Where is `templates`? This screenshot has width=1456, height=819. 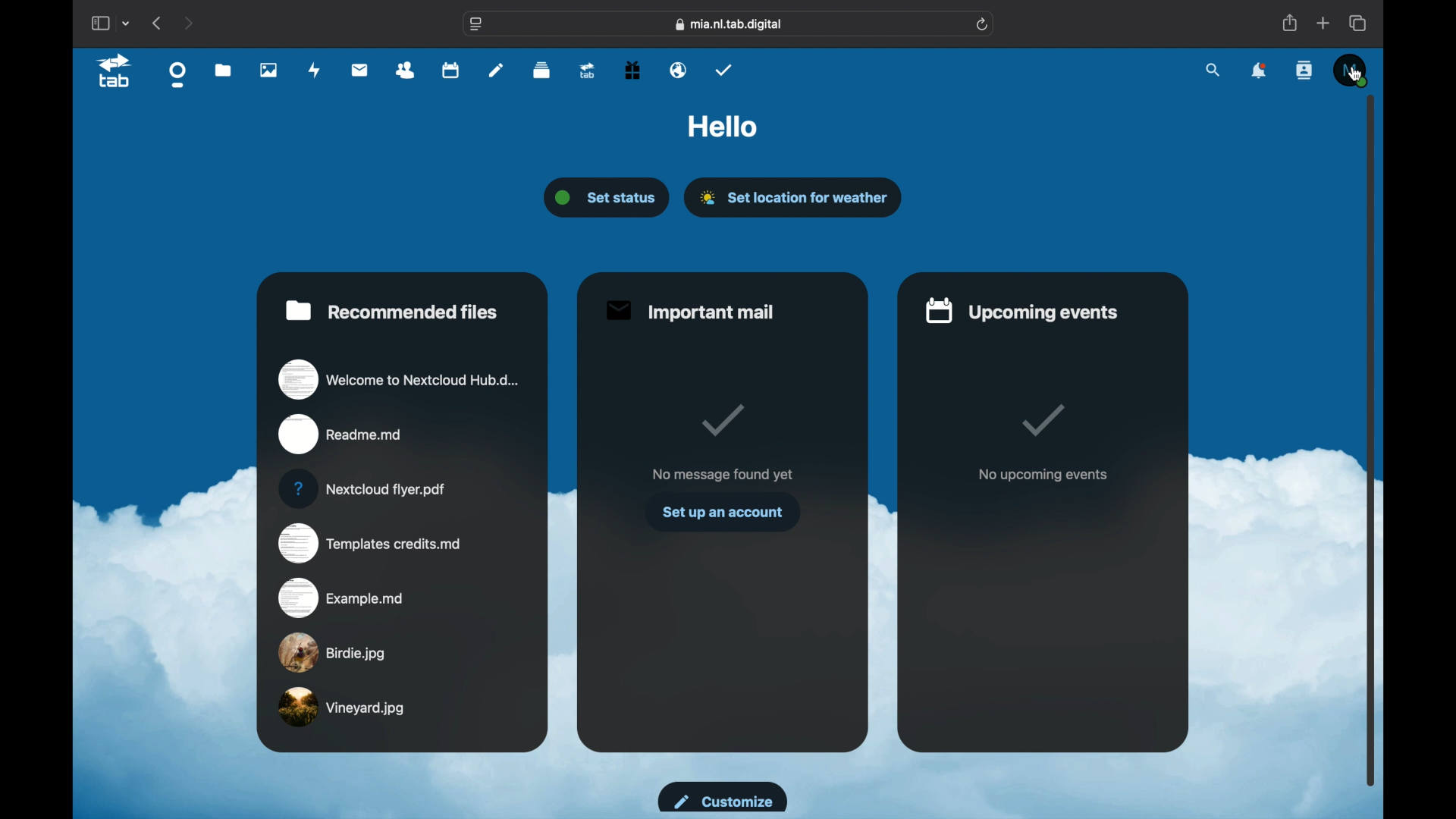 templates is located at coordinates (369, 544).